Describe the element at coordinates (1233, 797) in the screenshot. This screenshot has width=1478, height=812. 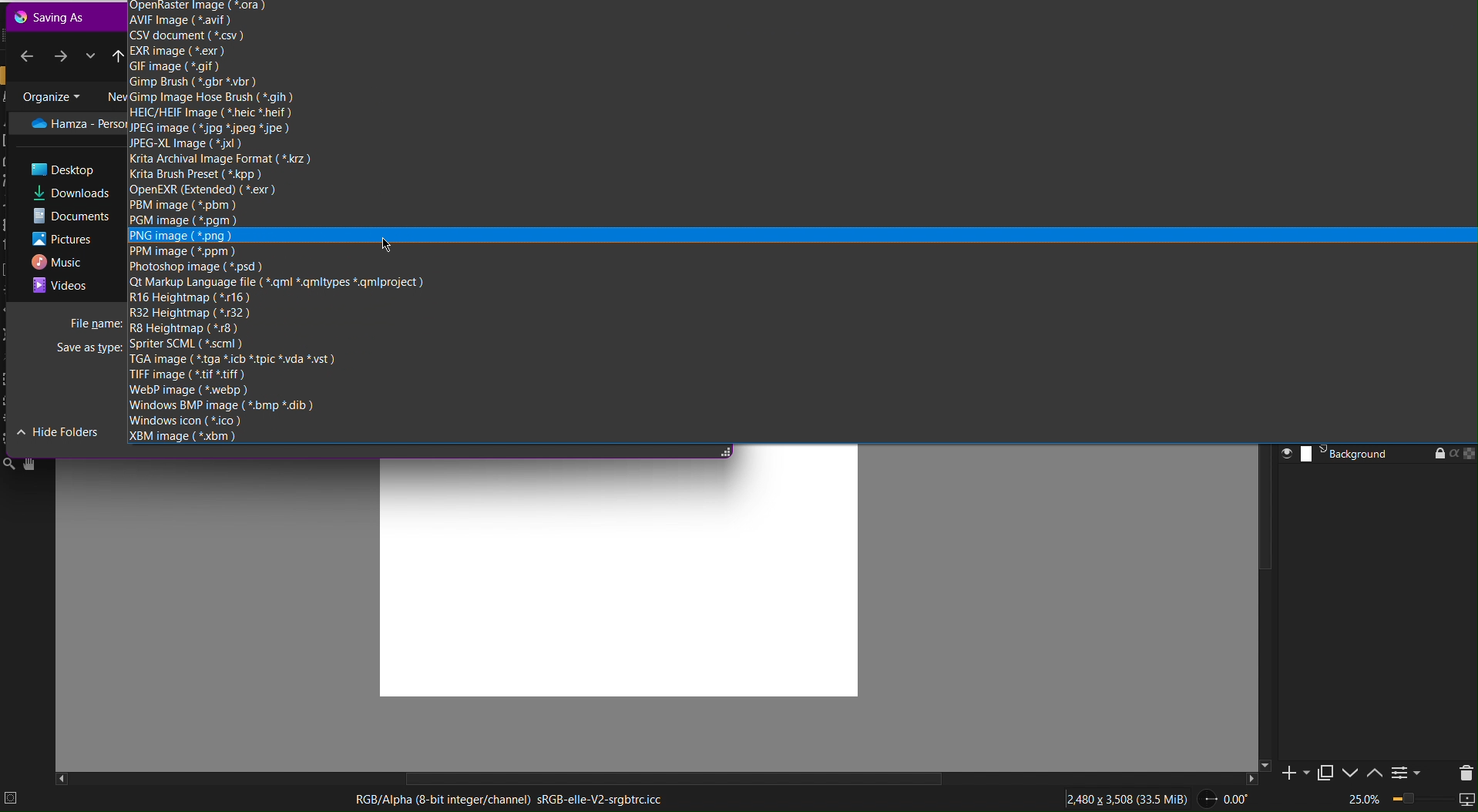
I see `Degree` at that location.